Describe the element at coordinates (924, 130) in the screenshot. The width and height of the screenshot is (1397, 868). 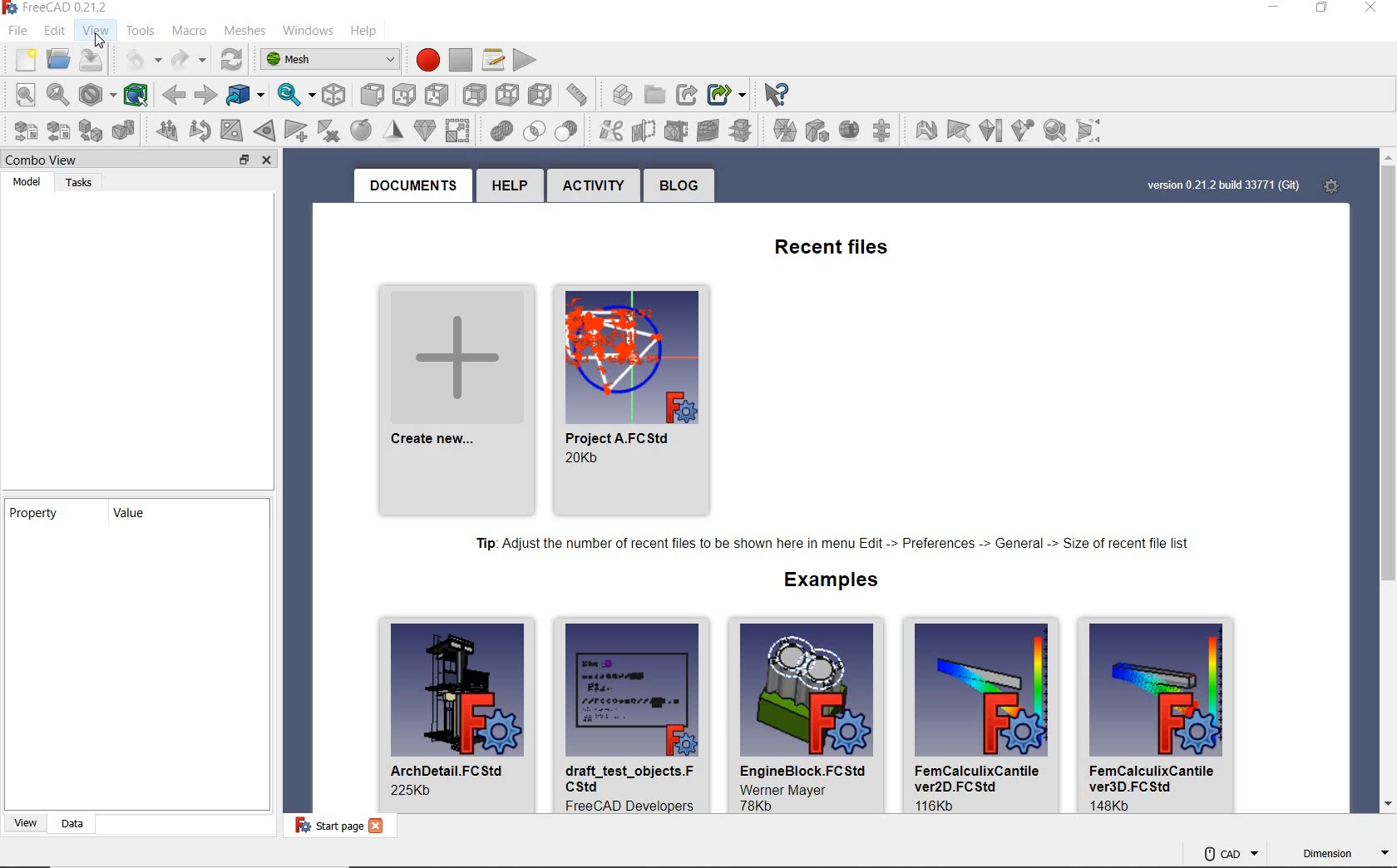
I see `option` at that location.